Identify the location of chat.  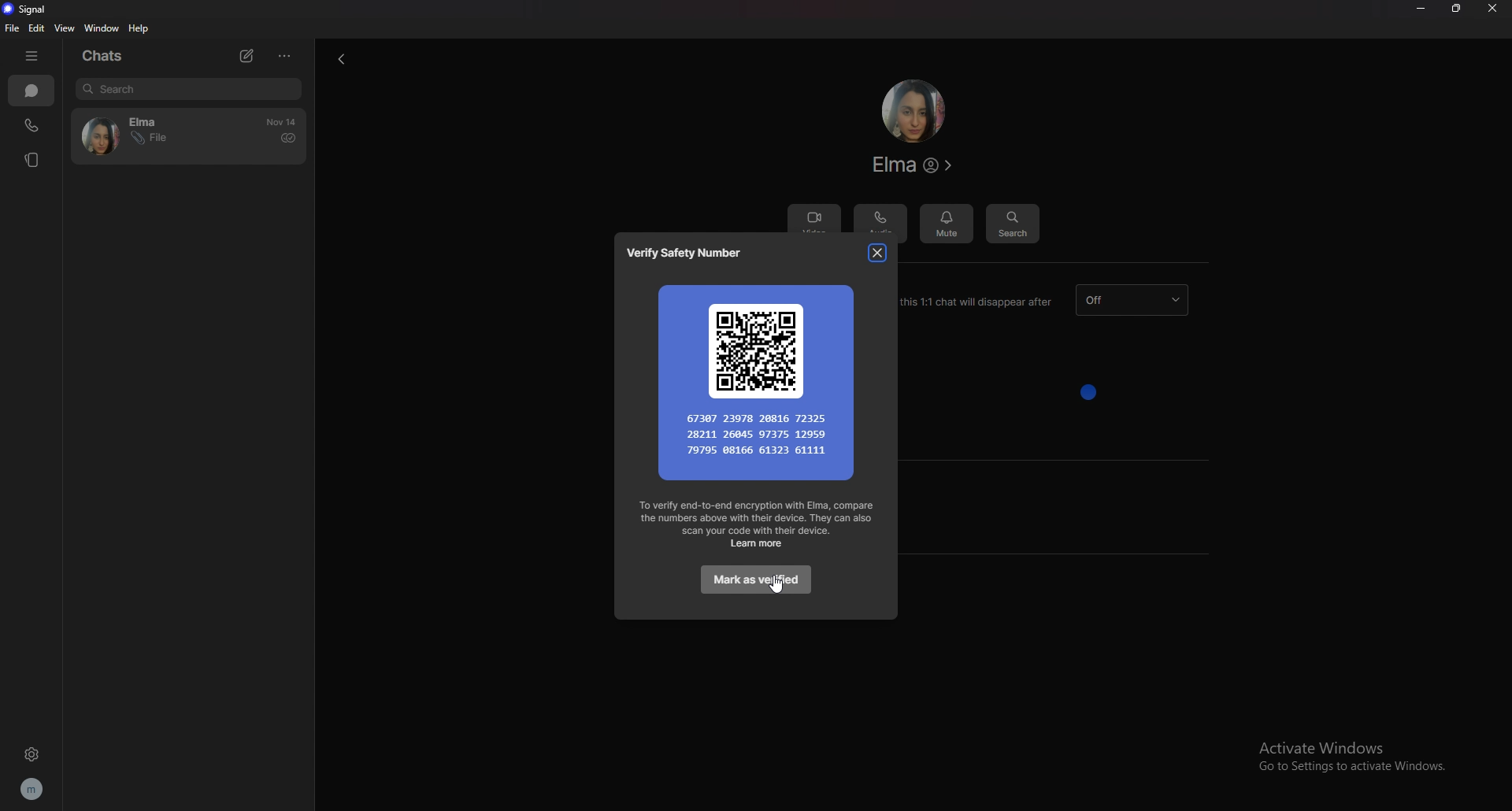
(146, 136).